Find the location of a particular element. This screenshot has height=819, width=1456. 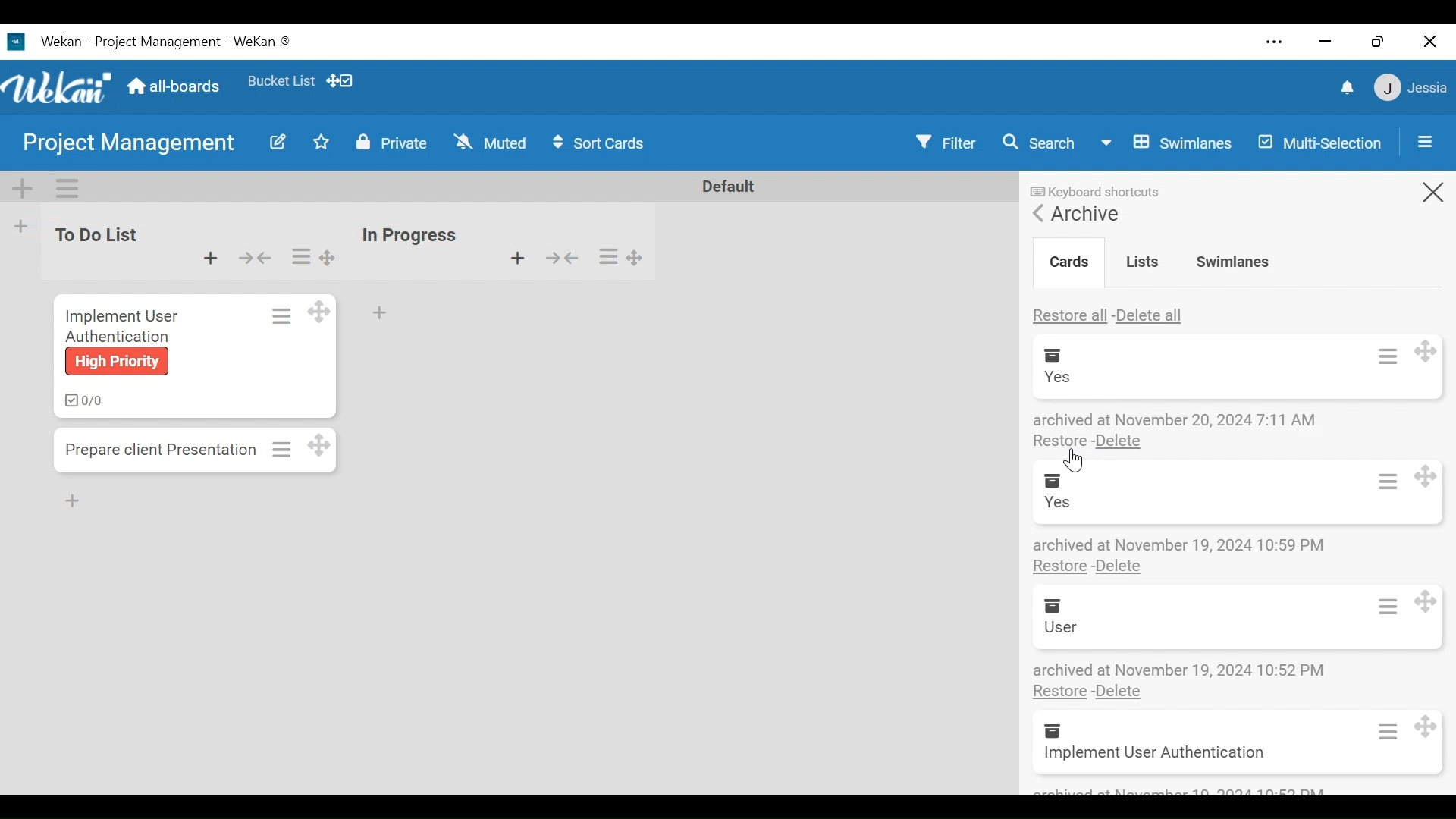

Add list is located at coordinates (19, 226).